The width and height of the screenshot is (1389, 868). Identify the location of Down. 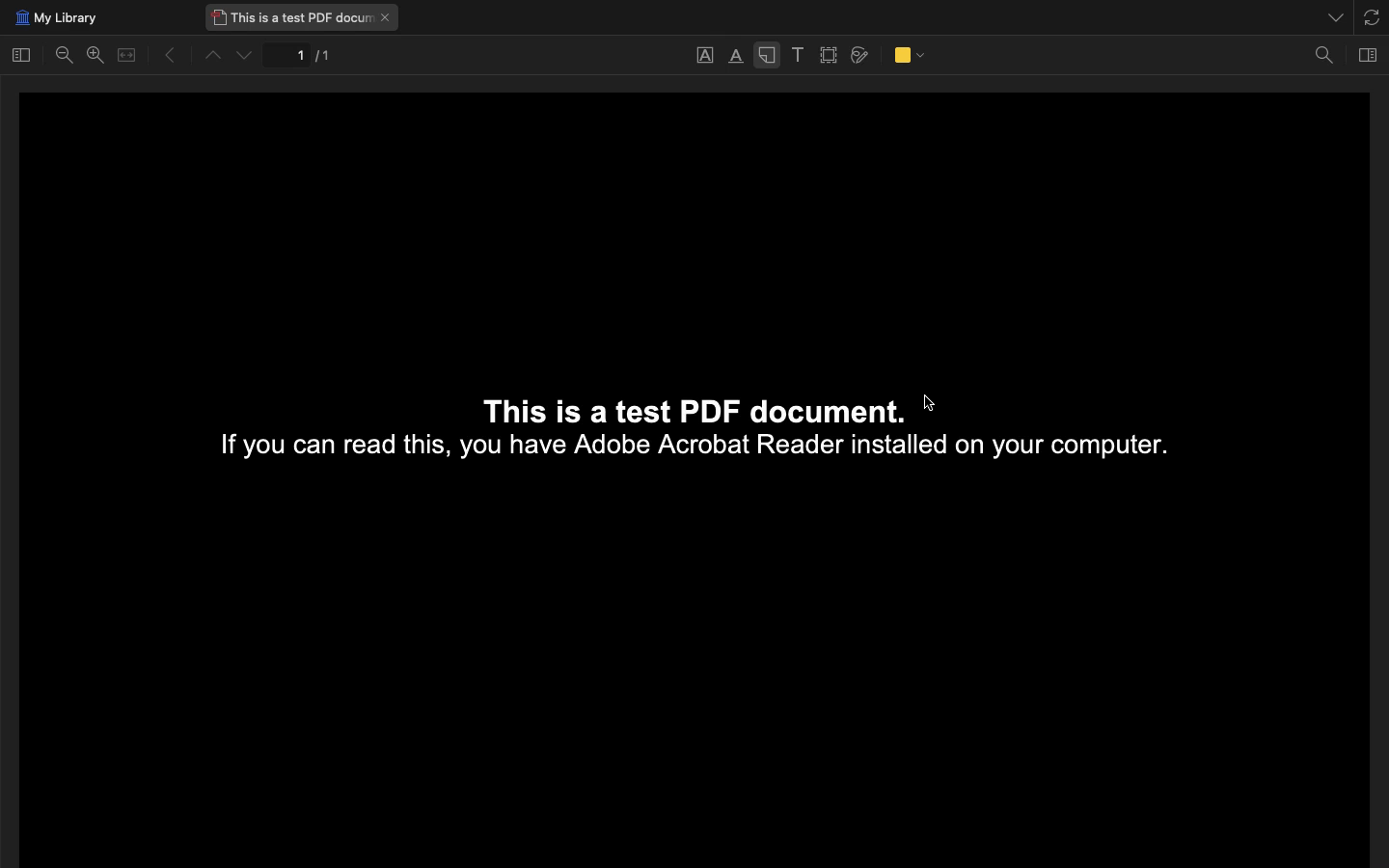
(246, 56).